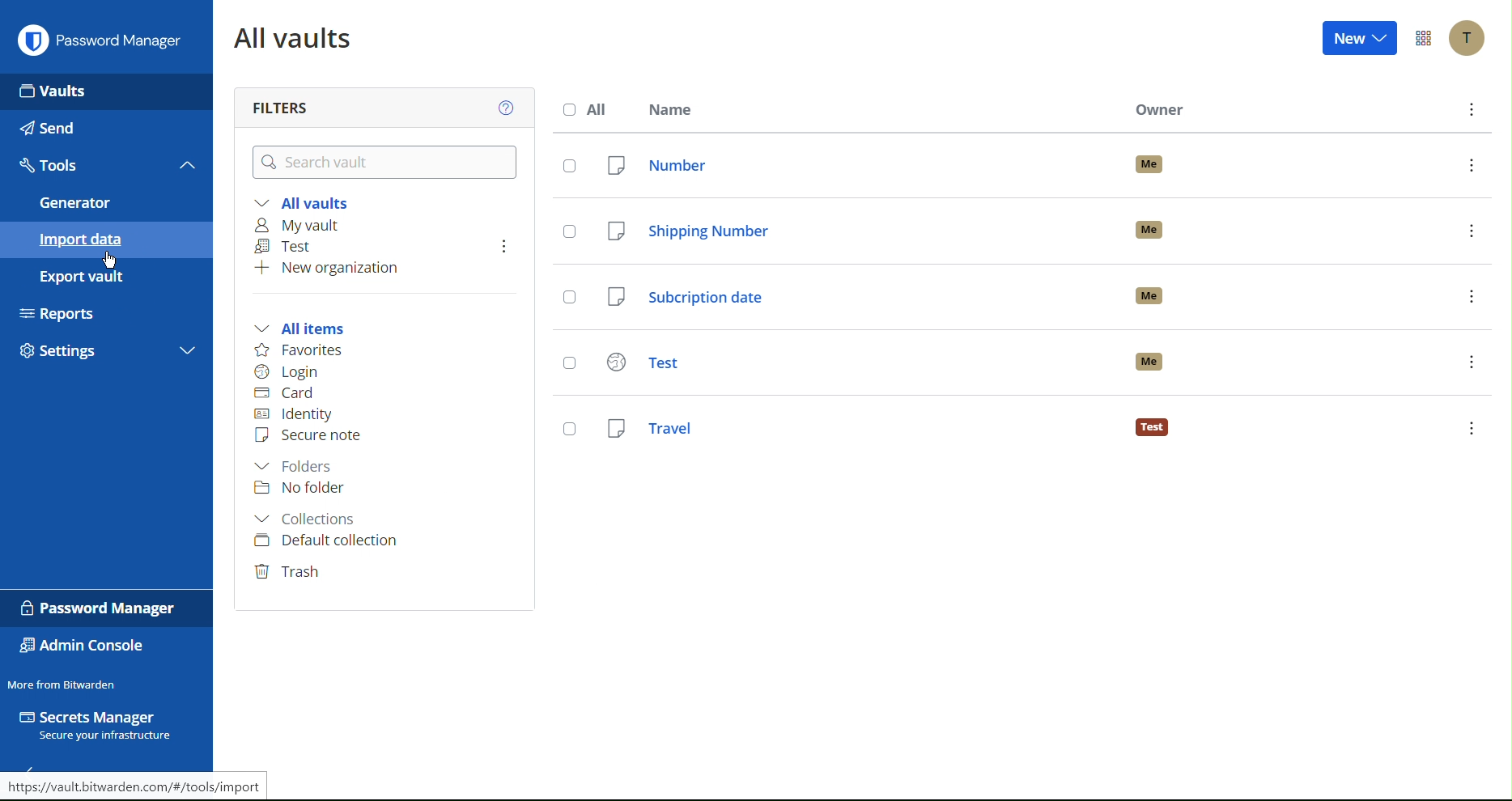 The image size is (1512, 801). What do you see at coordinates (1471, 428) in the screenshot?
I see `options` at bounding box center [1471, 428].